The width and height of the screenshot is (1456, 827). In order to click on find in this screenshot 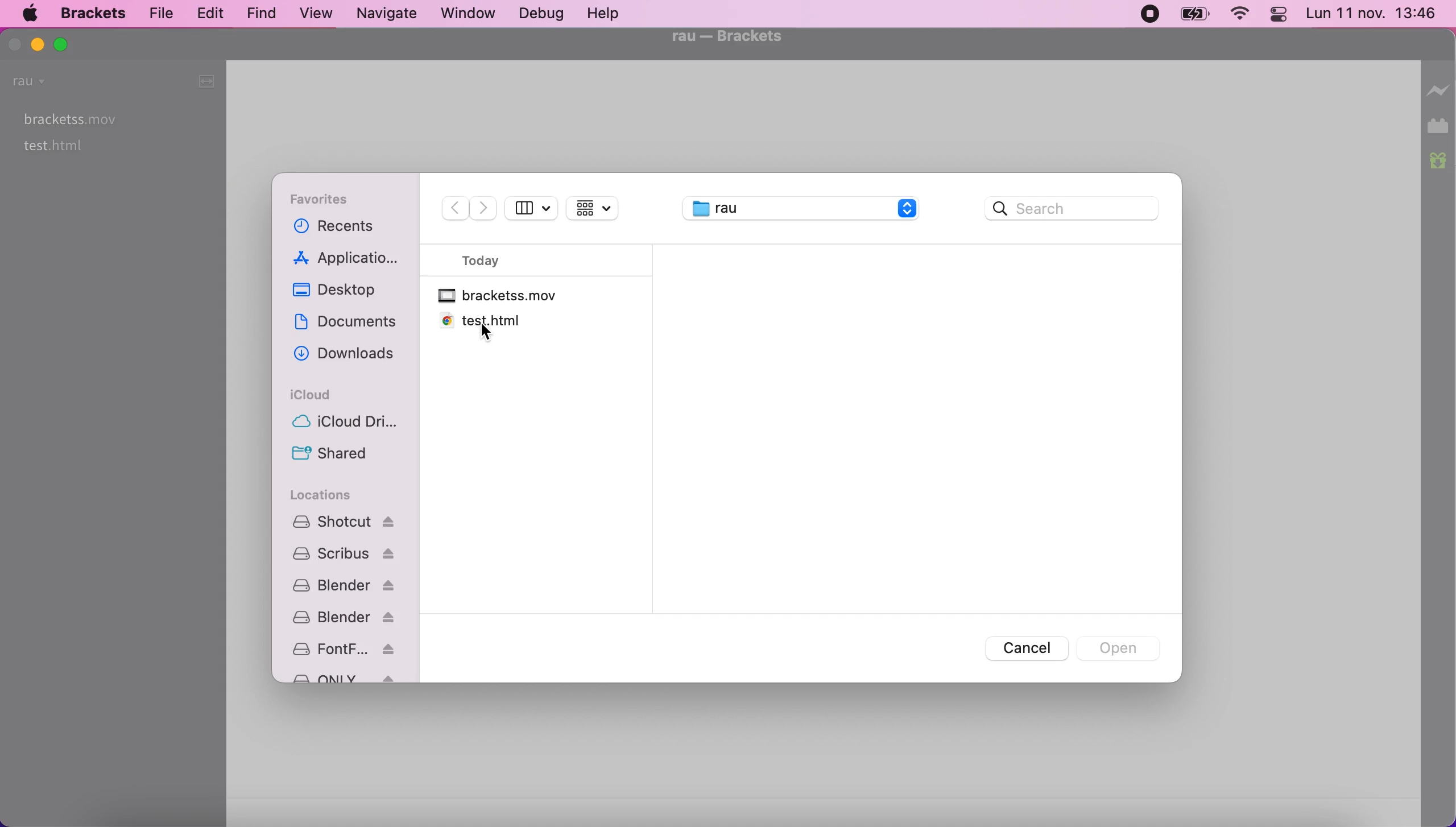, I will do `click(263, 15)`.